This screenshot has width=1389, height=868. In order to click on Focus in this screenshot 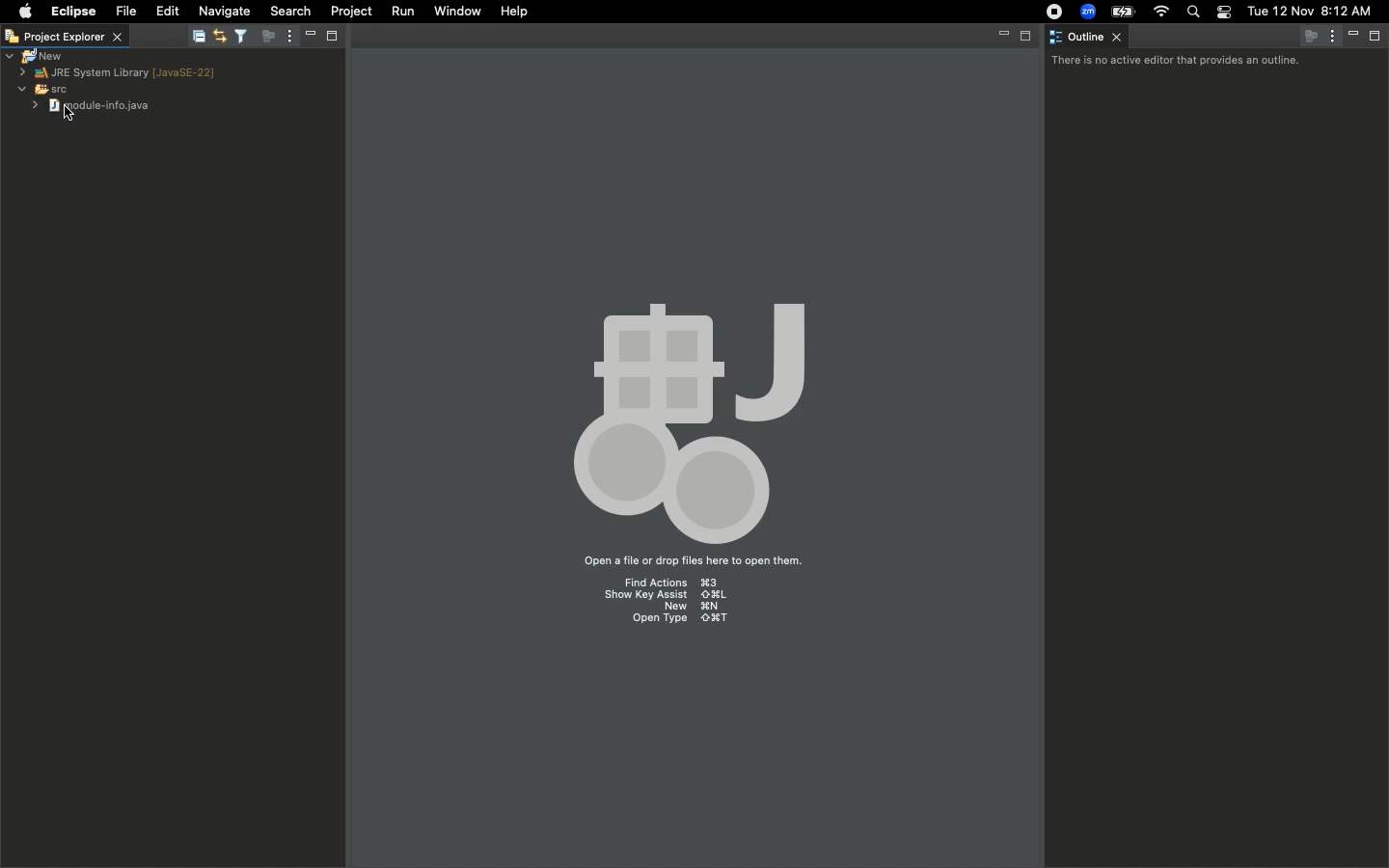, I will do `click(1312, 36)`.